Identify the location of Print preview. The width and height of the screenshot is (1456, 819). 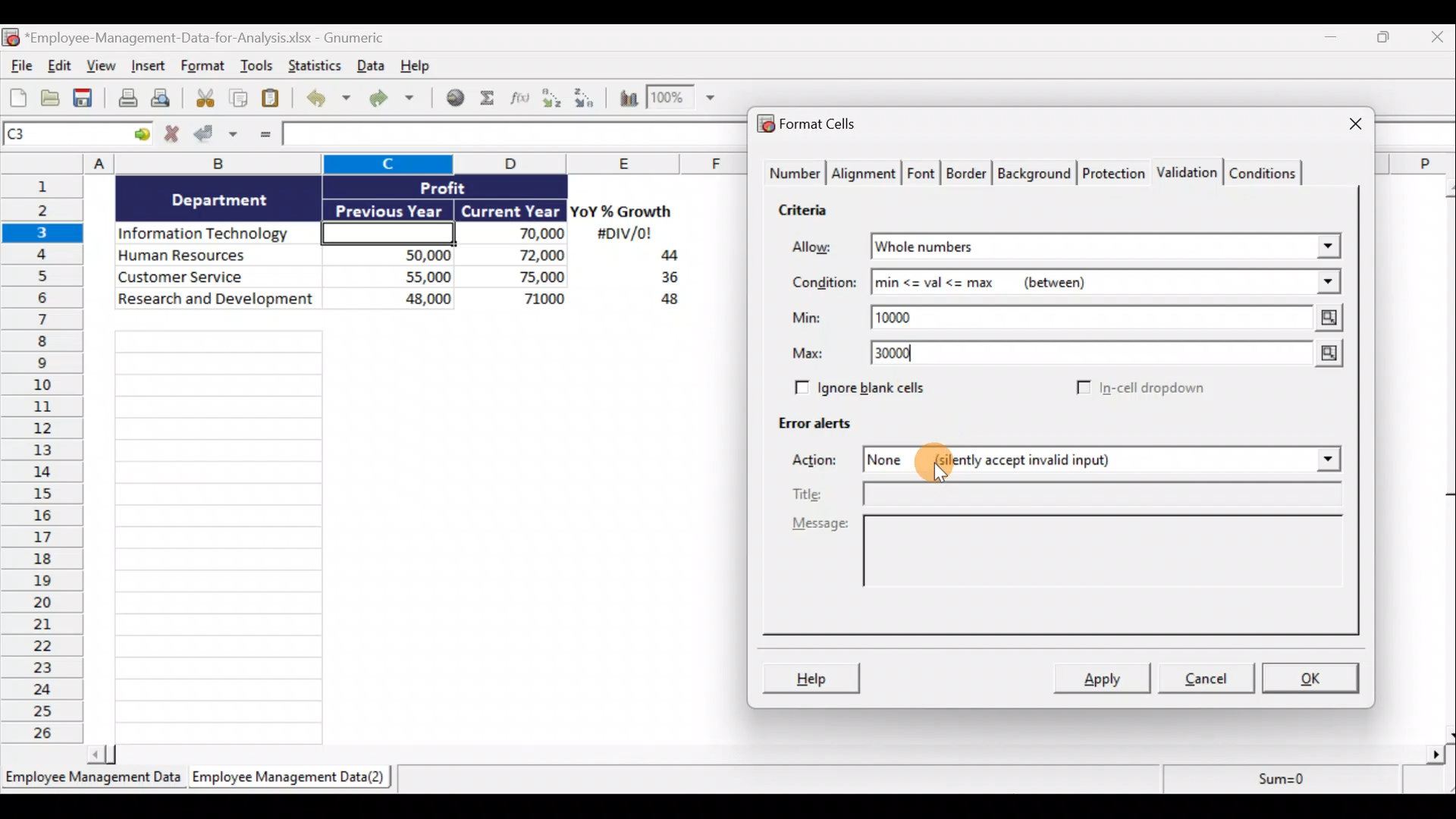
(169, 102).